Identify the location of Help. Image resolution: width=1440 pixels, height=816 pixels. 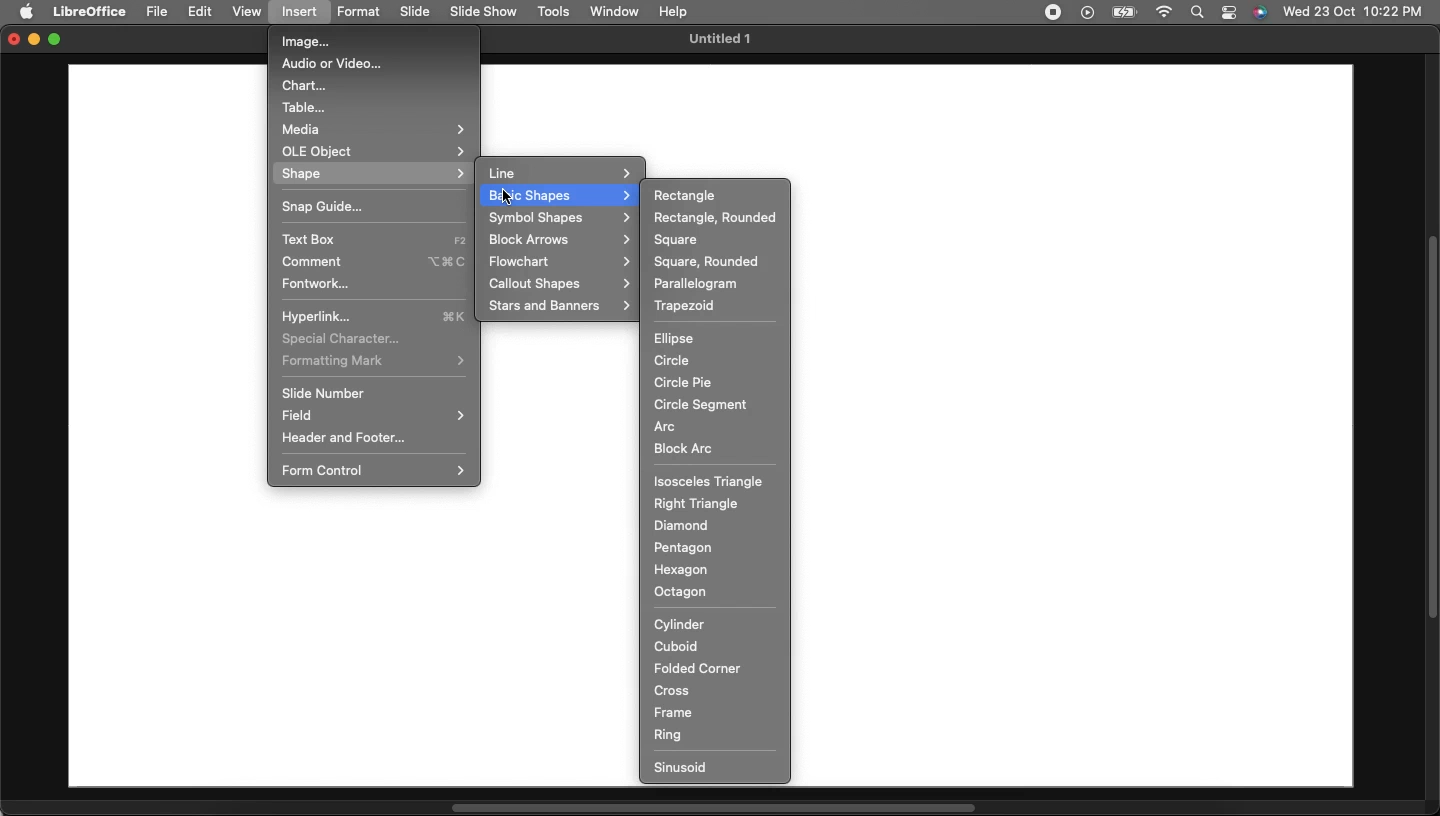
(673, 9).